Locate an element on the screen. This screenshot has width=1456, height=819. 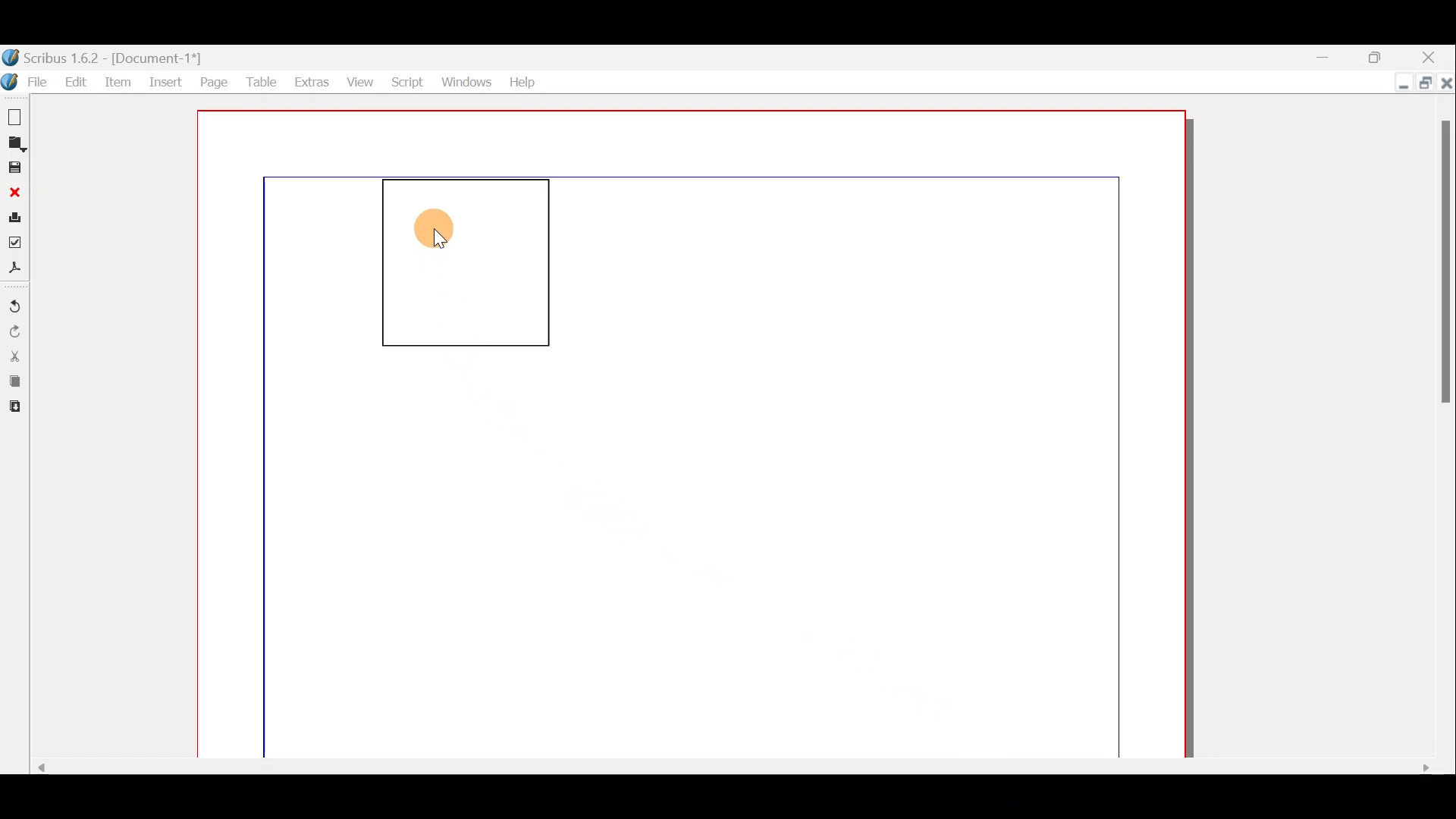
Maximise is located at coordinates (1376, 55).